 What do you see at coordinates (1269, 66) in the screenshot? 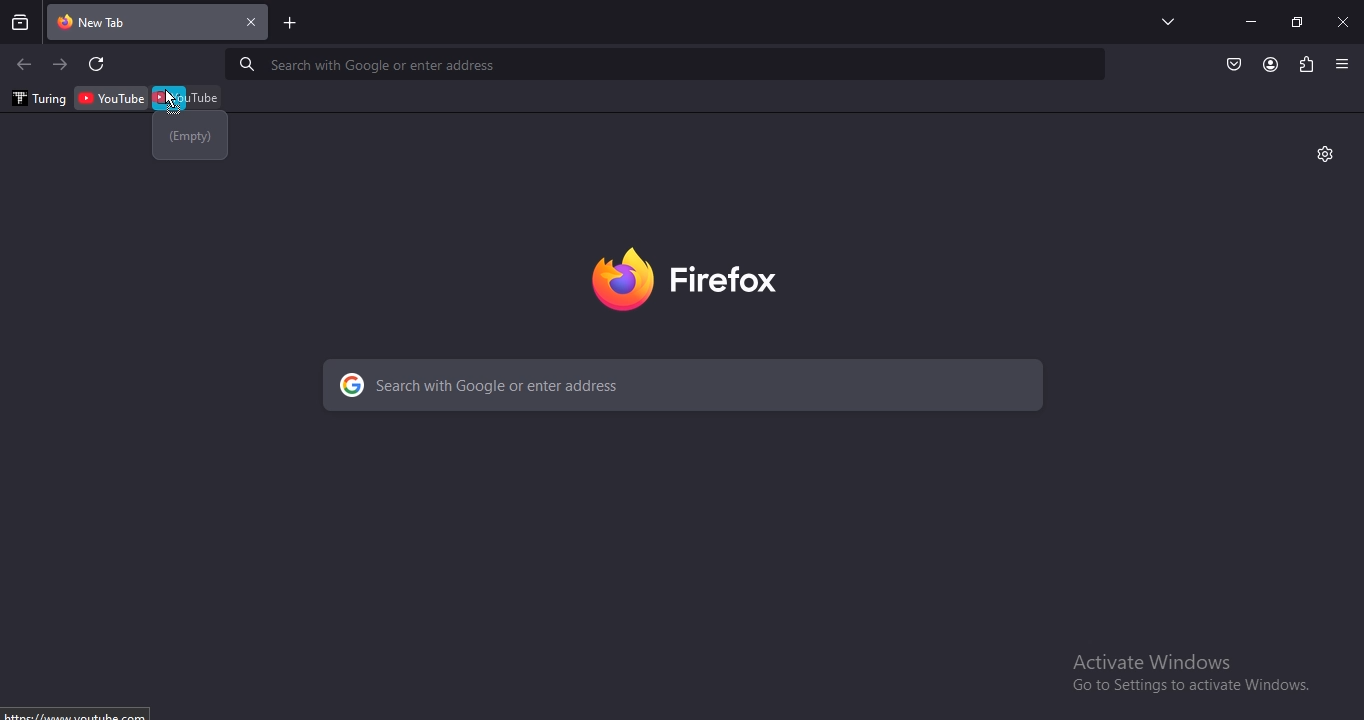
I see `account profile` at bounding box center [1269, 66].